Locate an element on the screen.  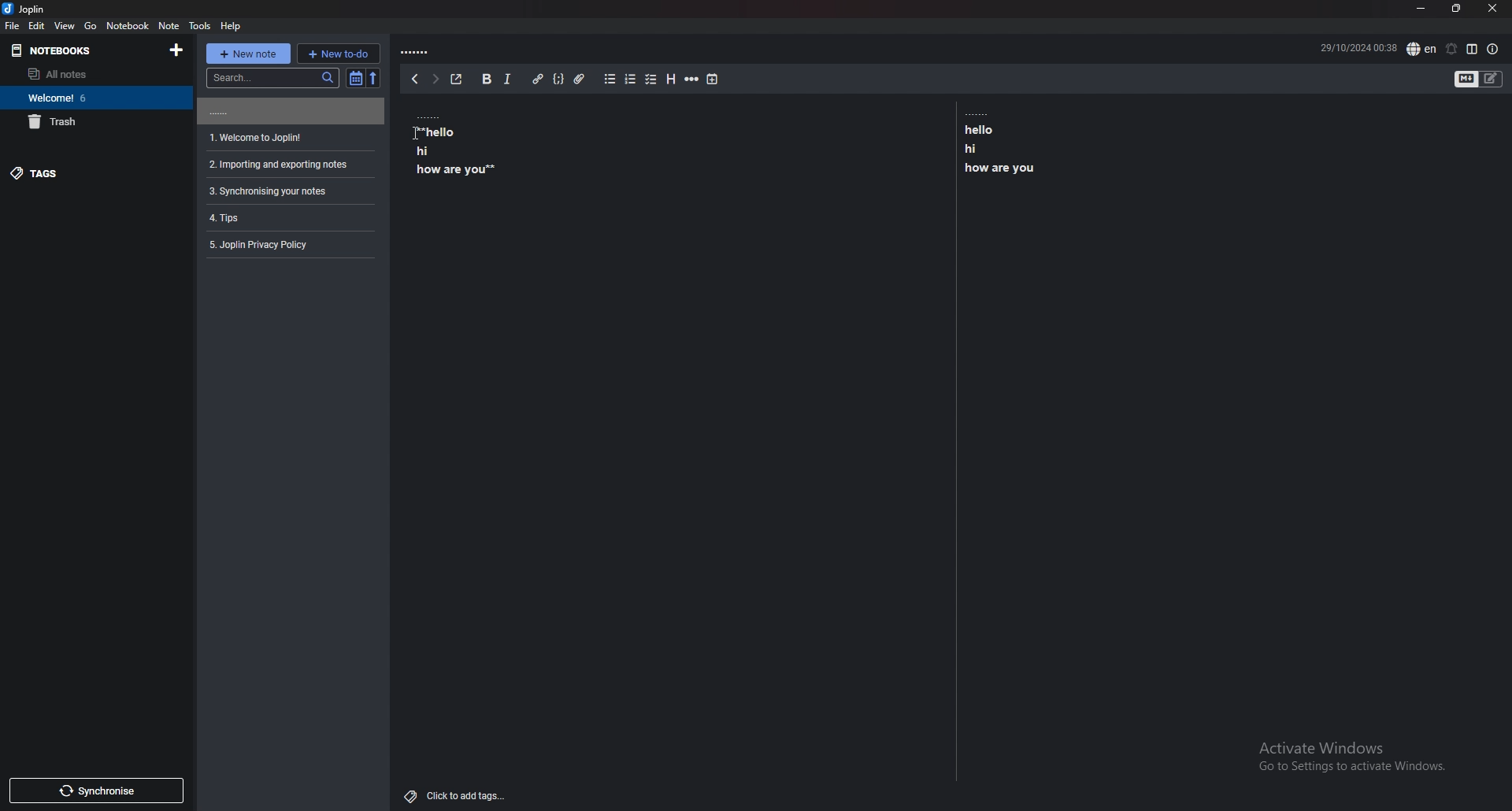
search bar is located at coordinates (272, 77).